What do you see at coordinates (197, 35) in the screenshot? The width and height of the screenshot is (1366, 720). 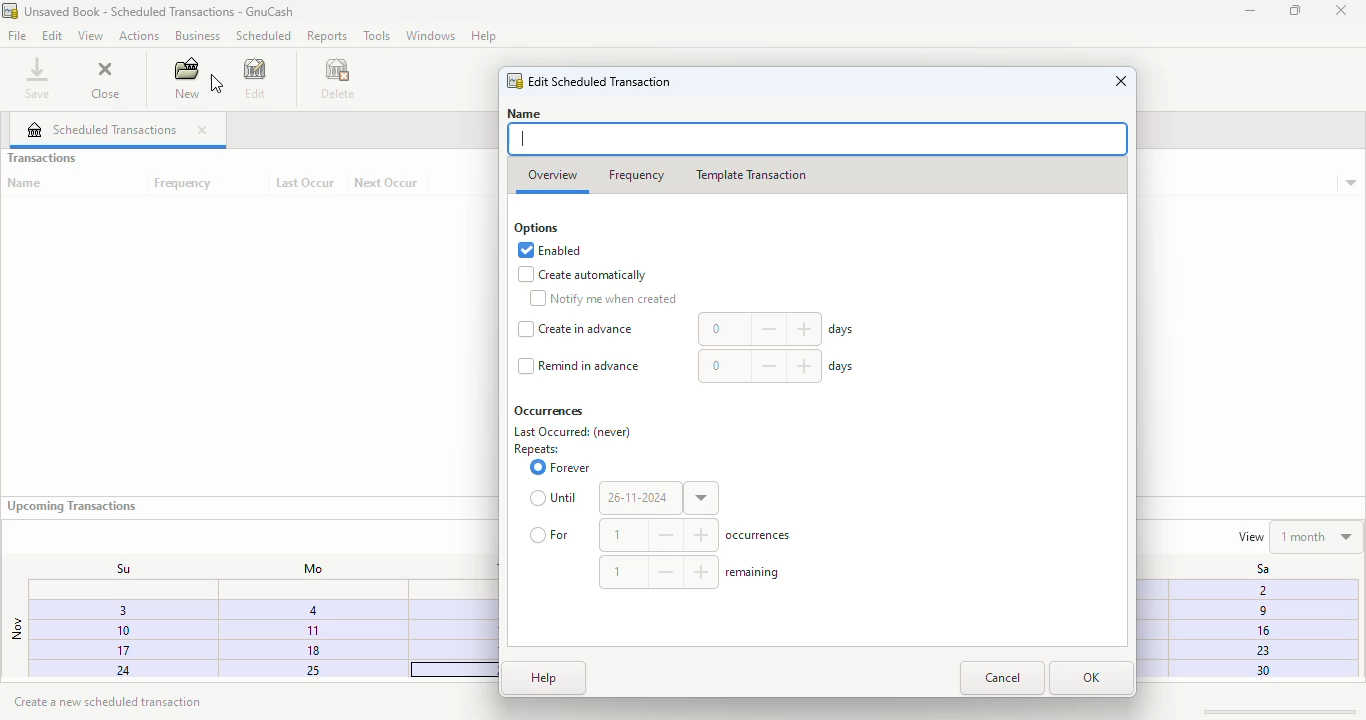 I see `business` at bounding box center [197, 35].